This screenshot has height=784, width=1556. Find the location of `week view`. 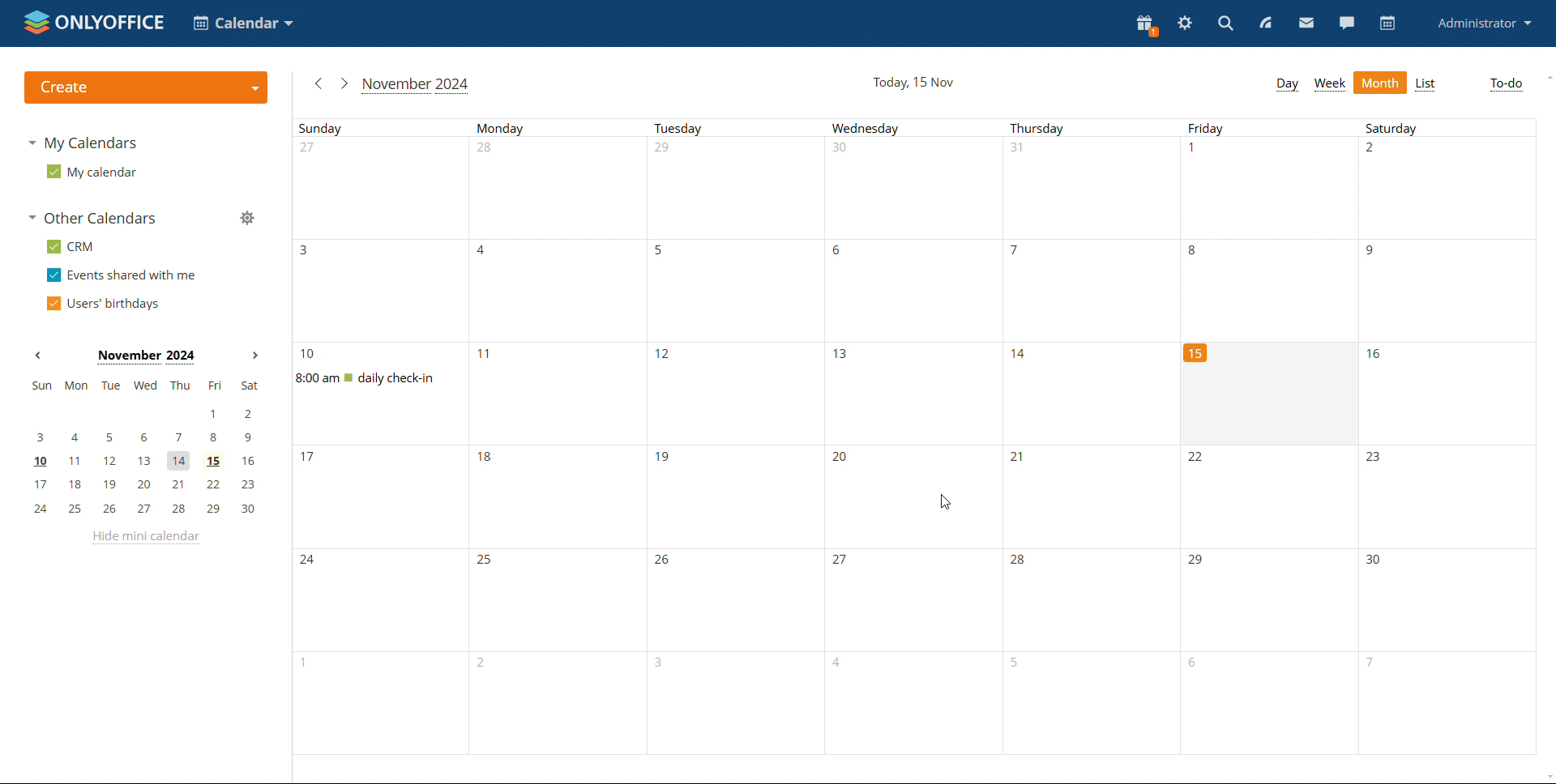

week view is located at coordinates (1329, 84).